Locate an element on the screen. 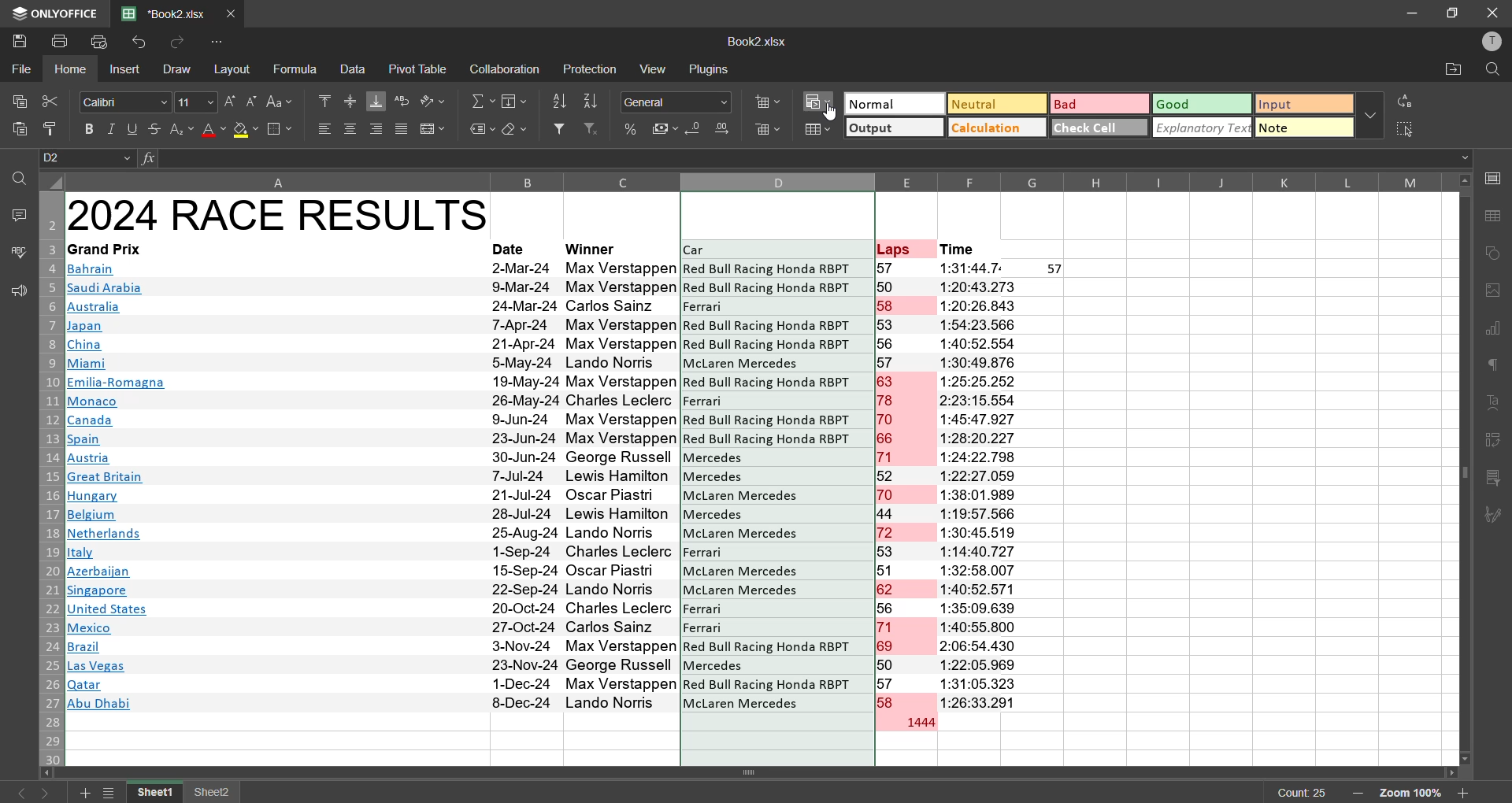  named ranges is located at coordinates (482, 130).